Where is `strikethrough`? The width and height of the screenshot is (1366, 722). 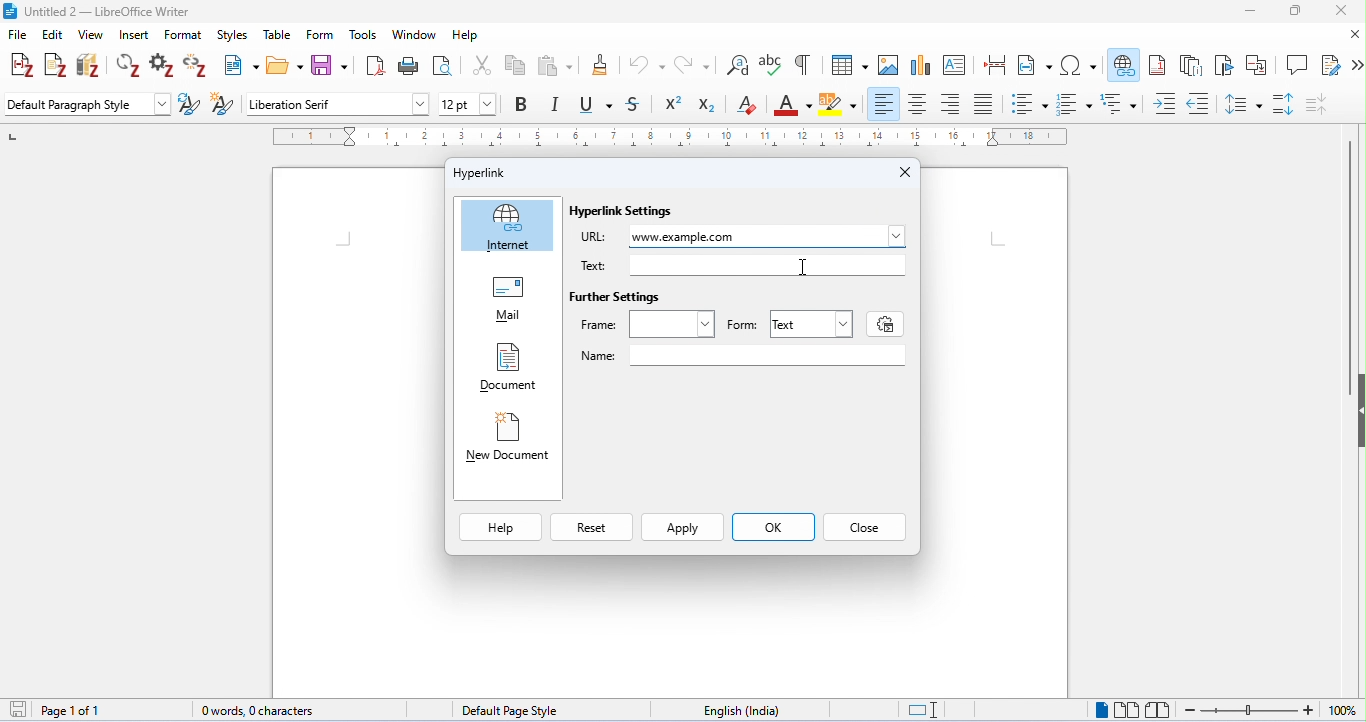 strikethrough is located at coordinates (634, 104).